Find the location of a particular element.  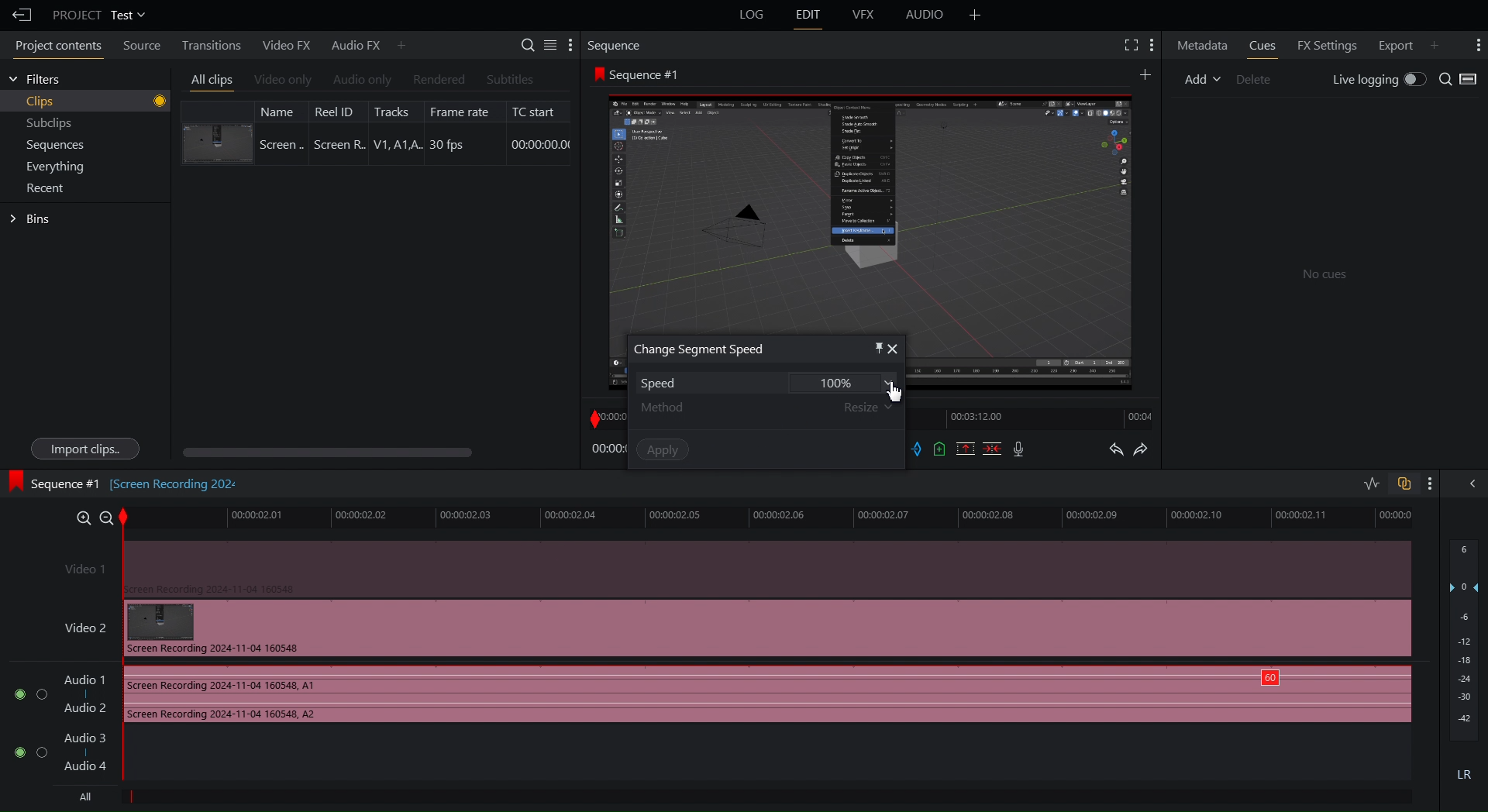

Filters is located at coordinates (35, 79).